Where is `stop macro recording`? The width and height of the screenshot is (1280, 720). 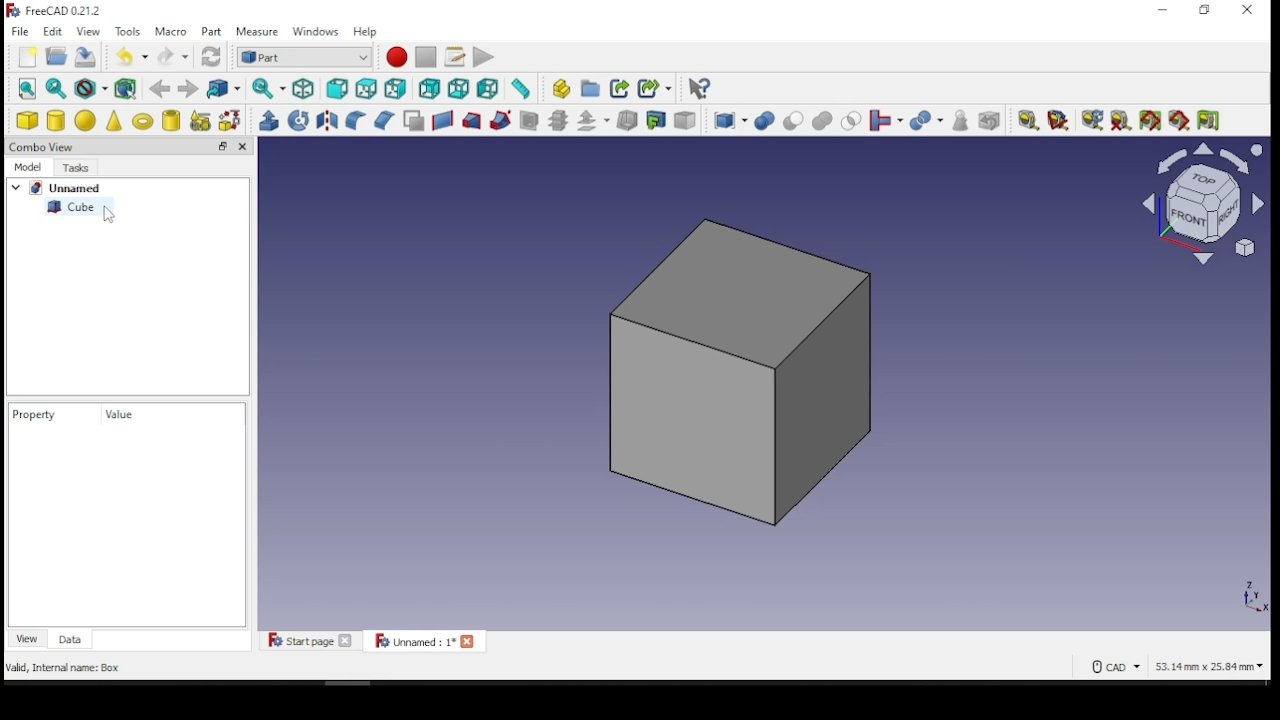 stop macro recording is located at coordinates (424, 57).